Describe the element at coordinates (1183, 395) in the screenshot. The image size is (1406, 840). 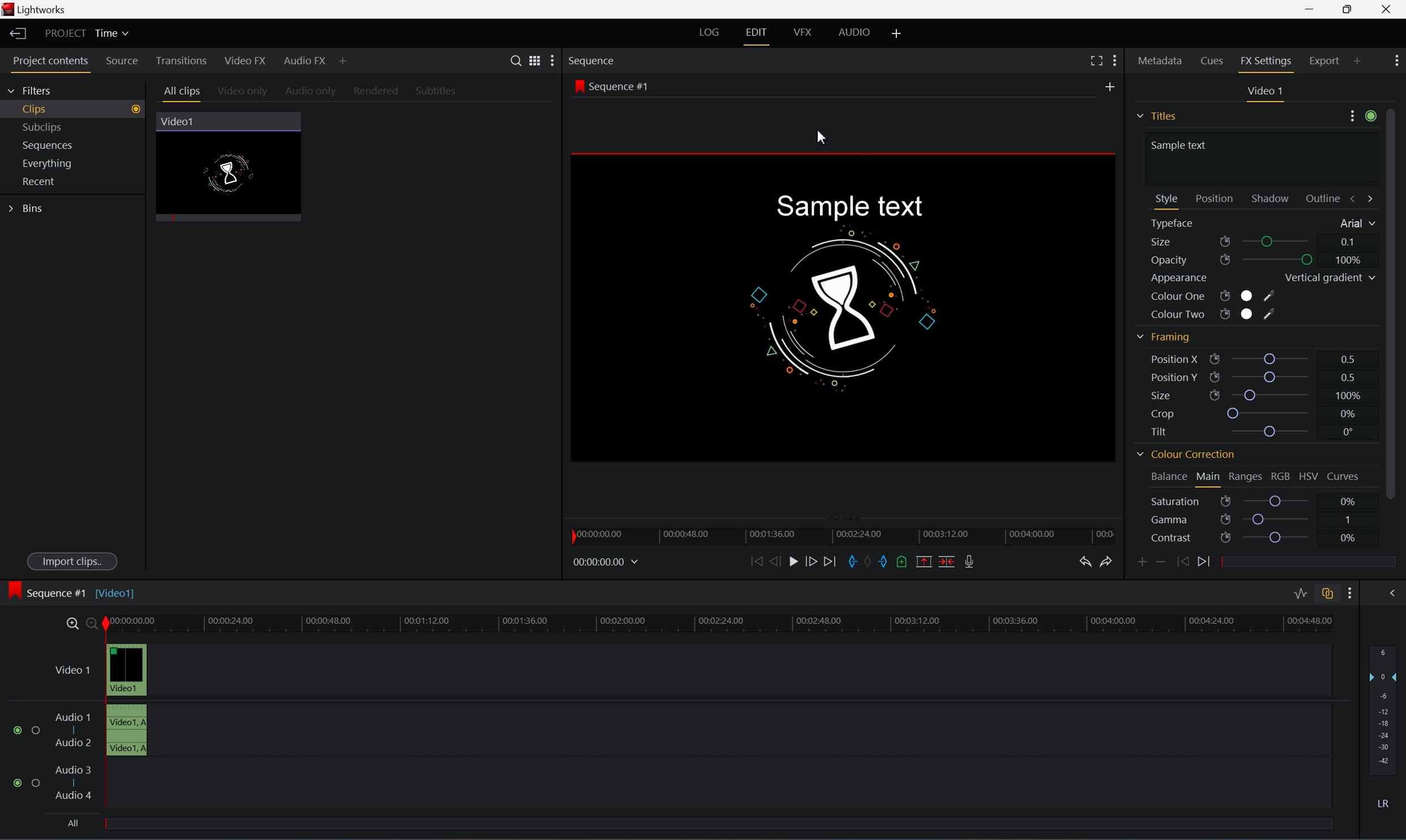
I see `size` at that location.